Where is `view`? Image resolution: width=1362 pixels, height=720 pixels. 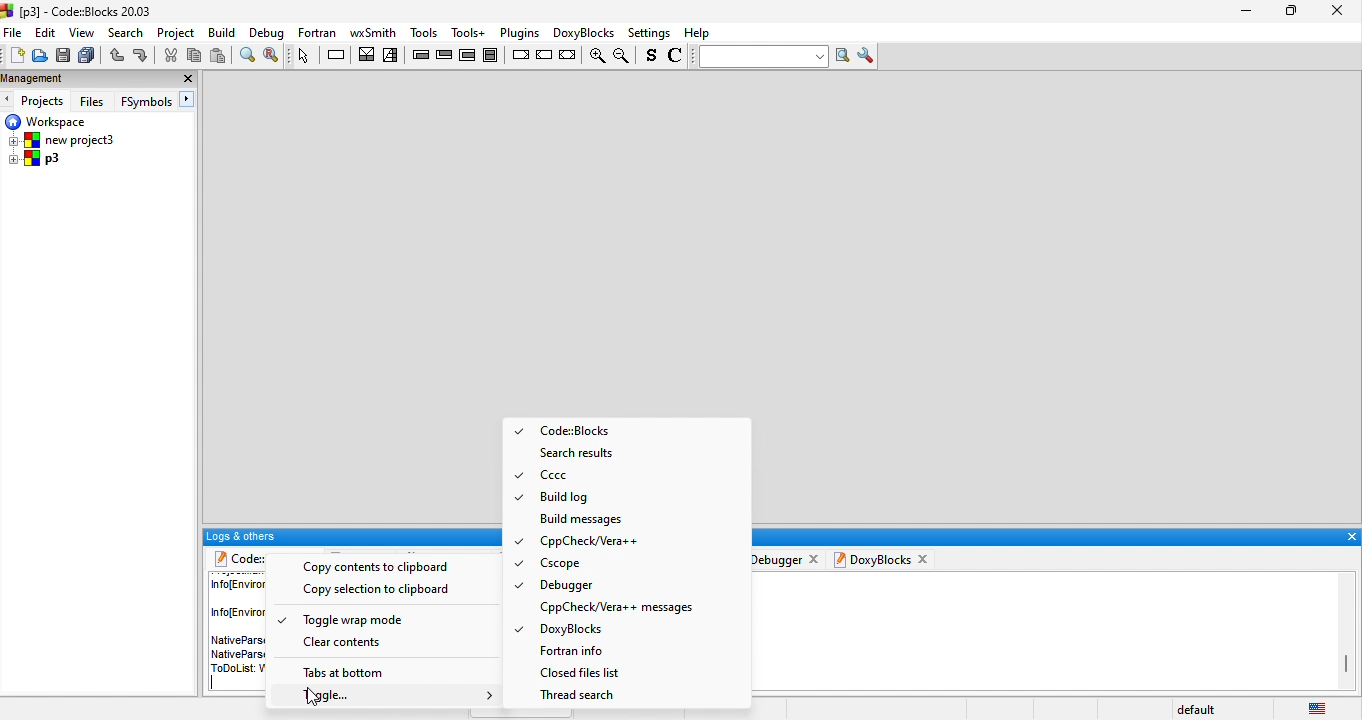
view is located at coordinates (83, 33).